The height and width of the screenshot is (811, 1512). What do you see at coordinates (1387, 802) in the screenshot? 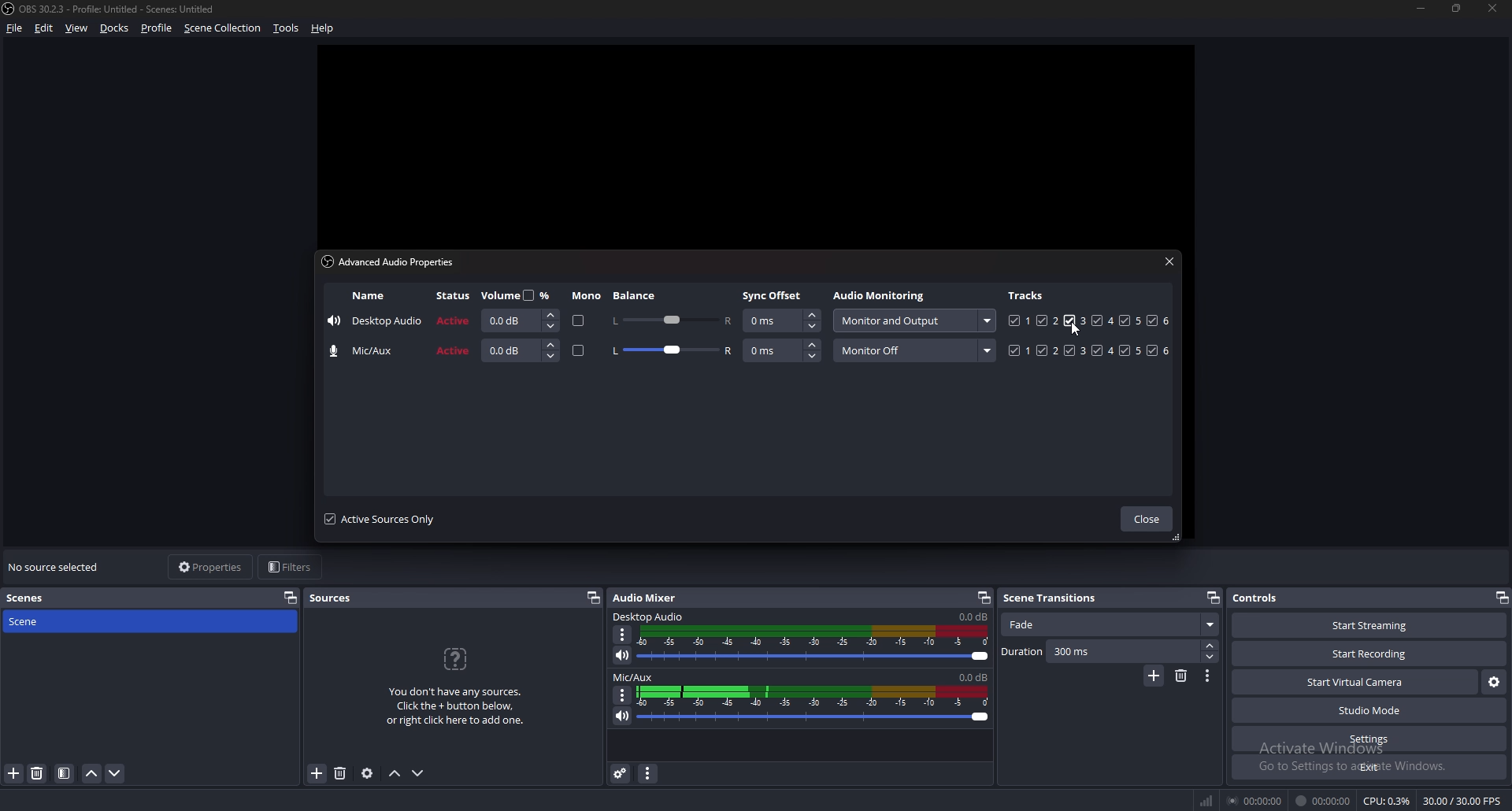
I see `CPU: 0.3%` at bounding box center [1387, 802].